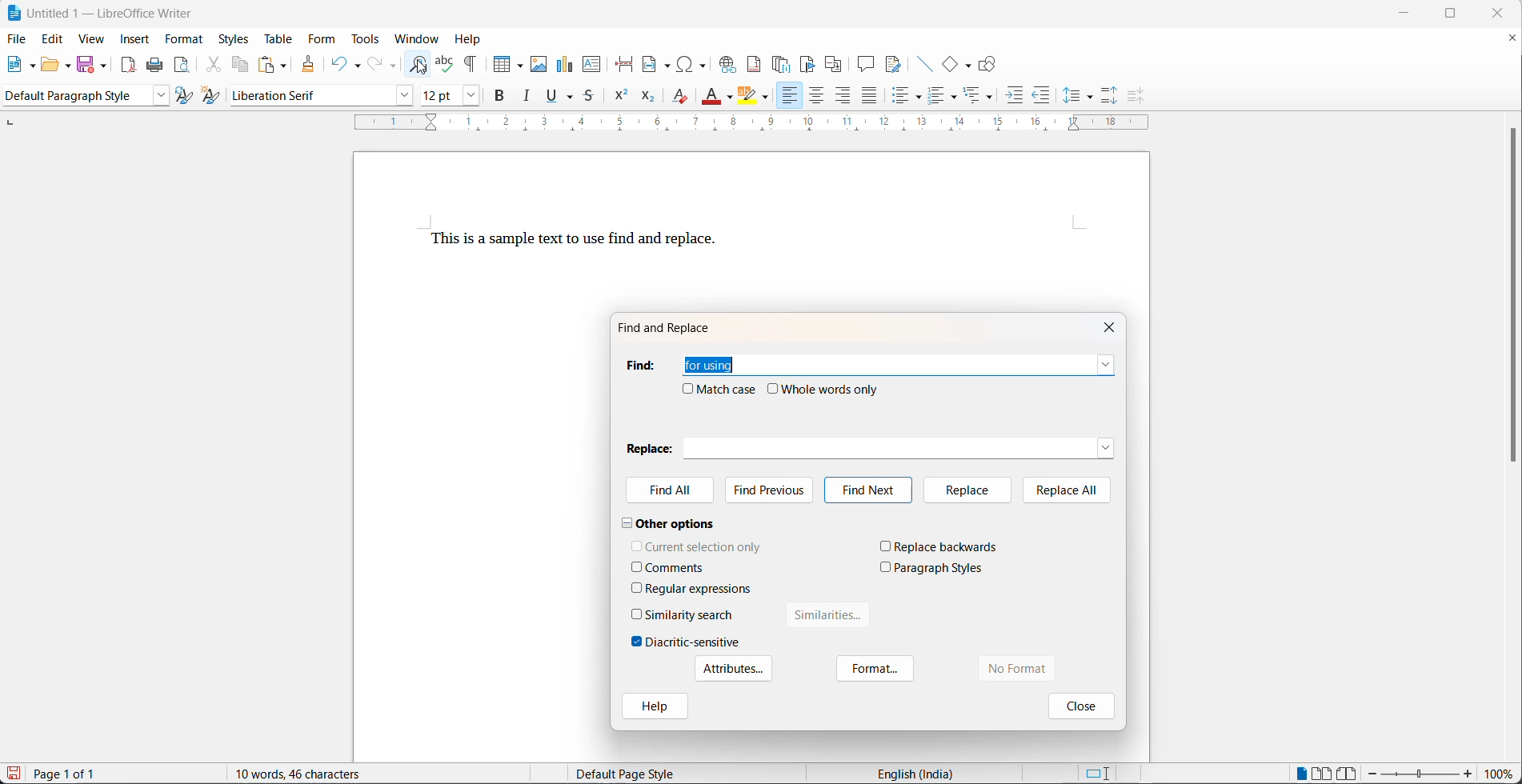 This screenshot has width=1522, height=784. Describe the element at coordinates (473, 38) in the screenshot. I see `help` at that location.